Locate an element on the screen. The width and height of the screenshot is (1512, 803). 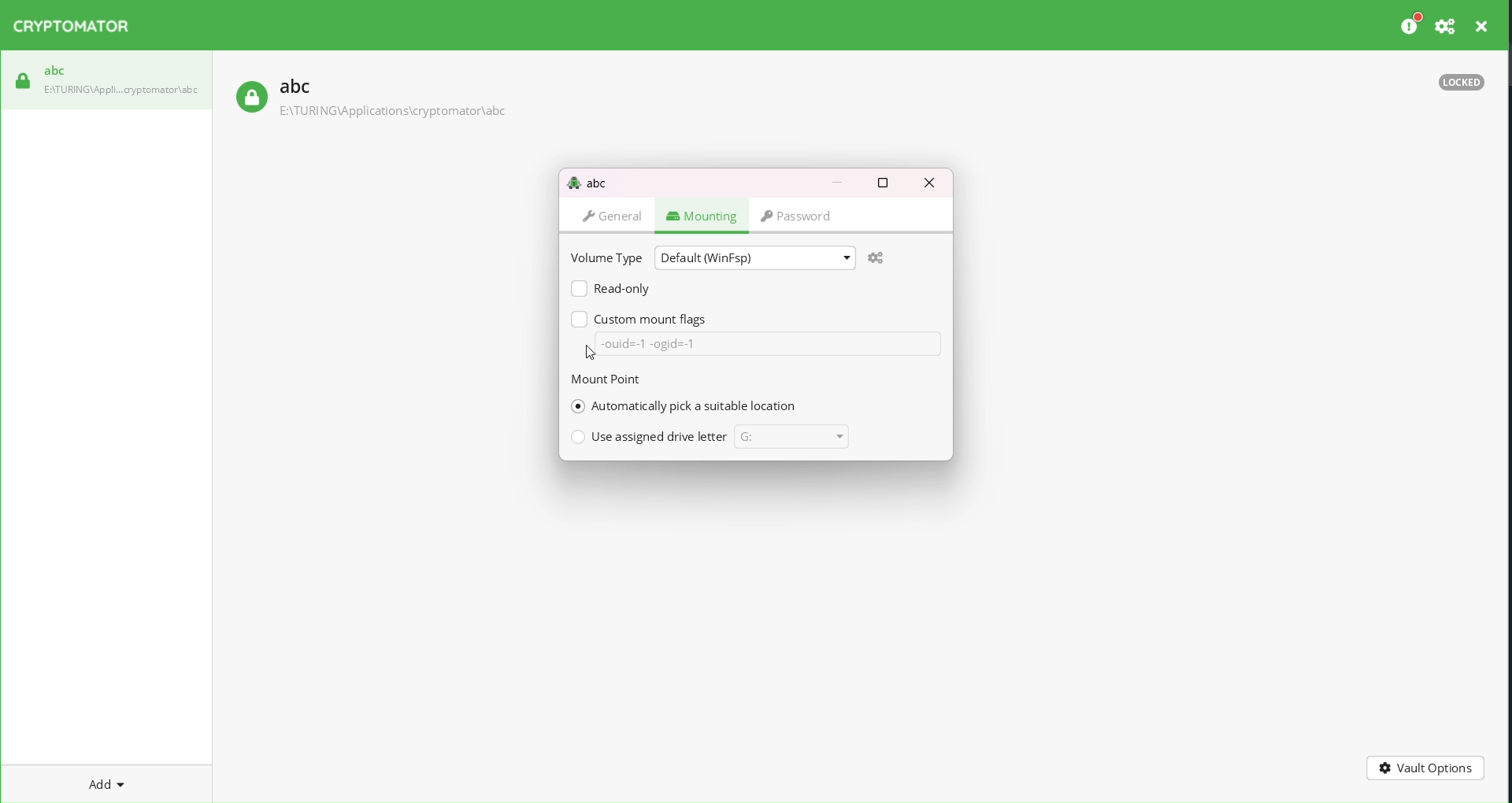
locked is located at coordinates (1459, 86).